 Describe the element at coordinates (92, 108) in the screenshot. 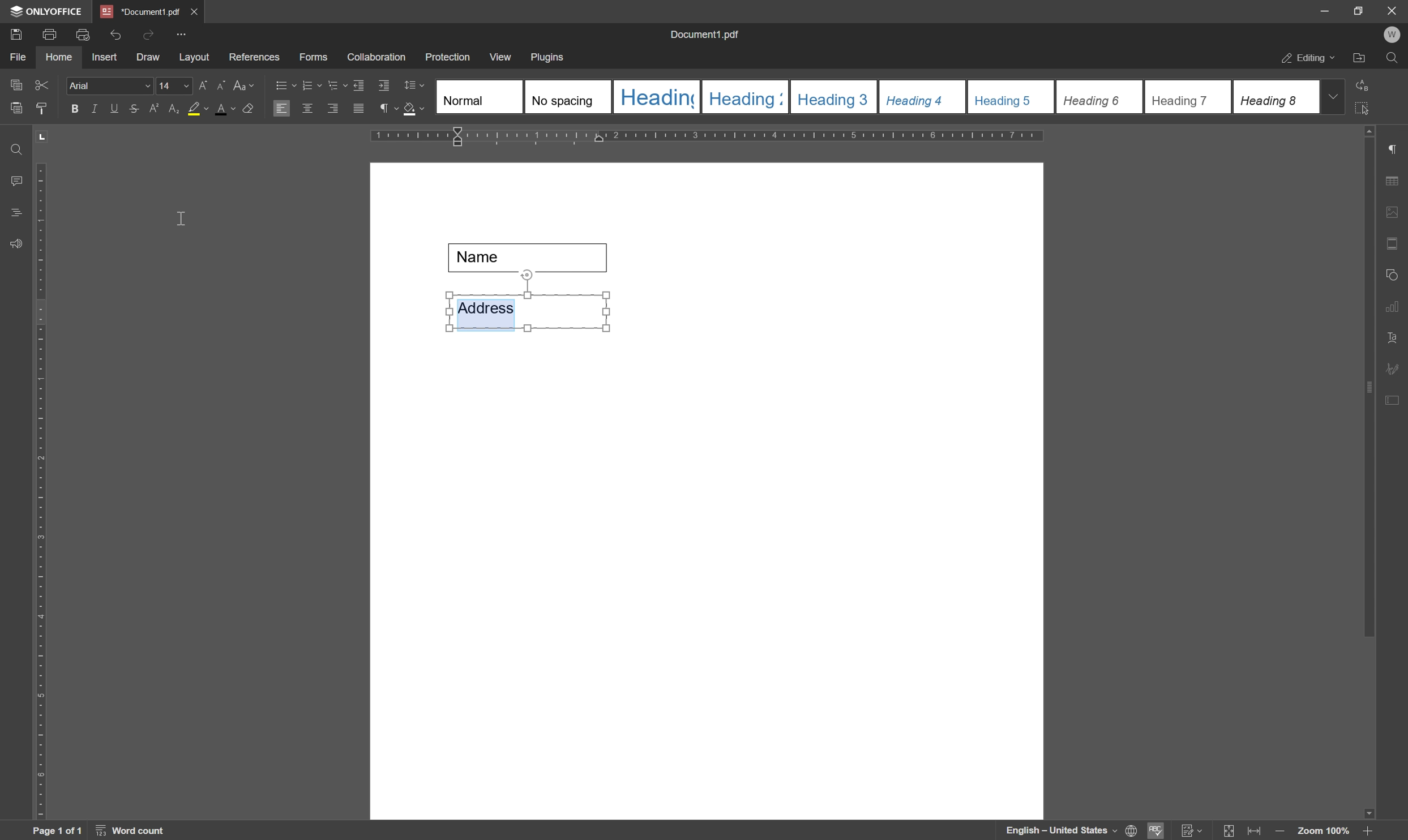

I see `italic` at that location.